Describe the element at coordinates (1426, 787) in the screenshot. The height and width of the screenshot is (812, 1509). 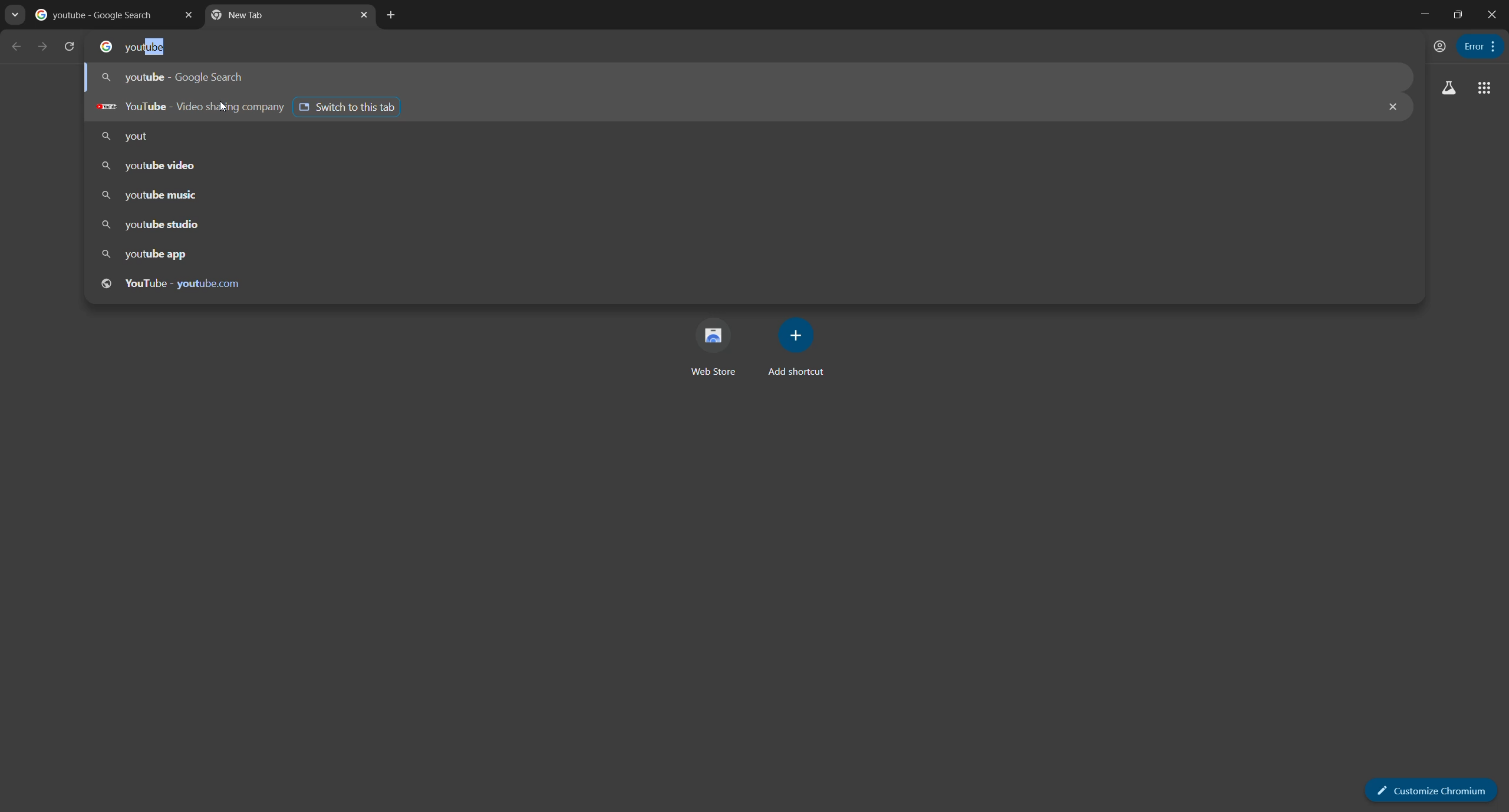
I see `customize chromium` at that location.